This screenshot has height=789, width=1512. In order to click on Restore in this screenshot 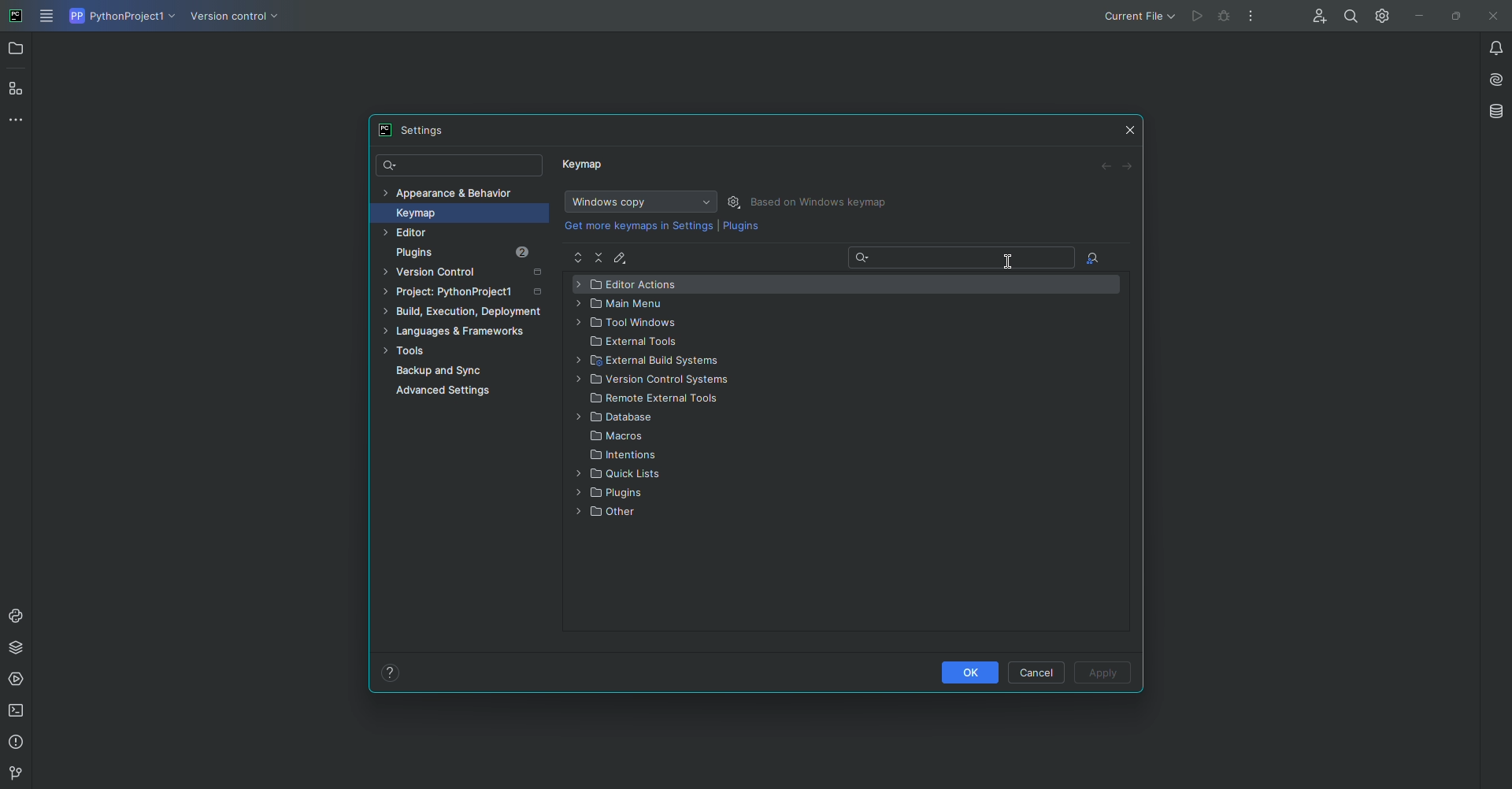, I will do `click(1452, 15)`.